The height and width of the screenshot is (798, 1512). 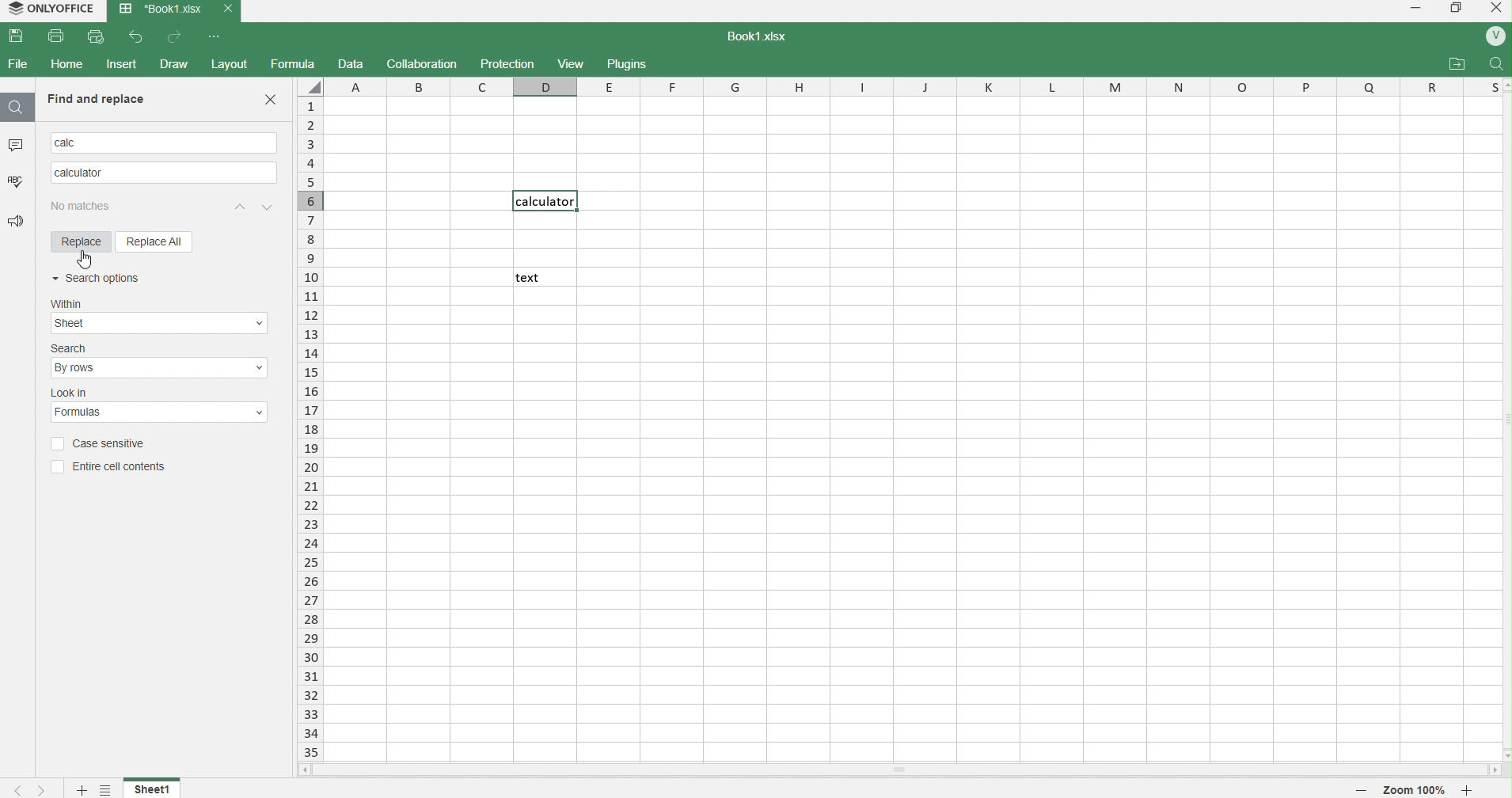 I want to click on sheet1, so click(x=59, y=533).